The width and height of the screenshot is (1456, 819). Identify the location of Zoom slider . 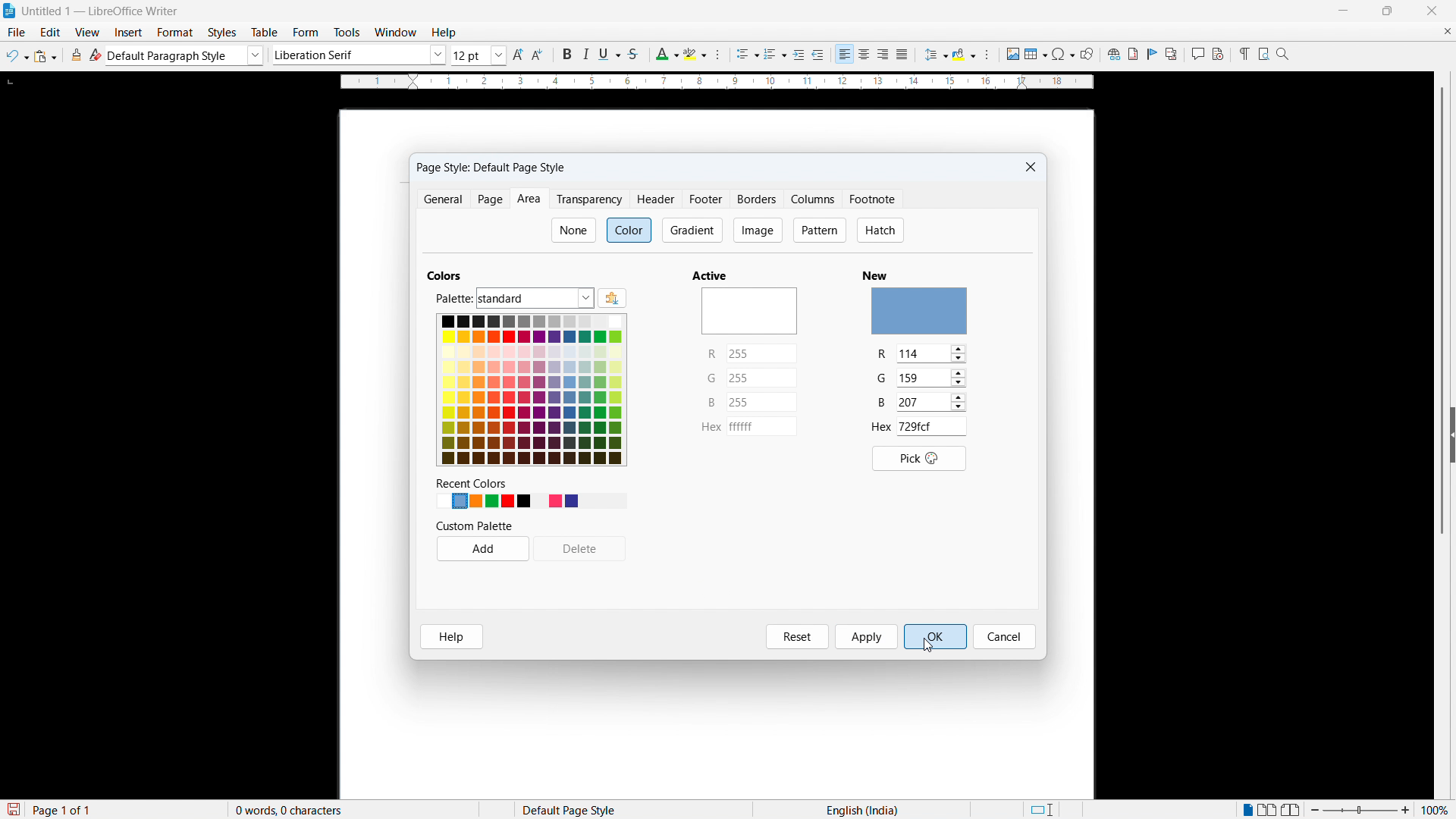
(1360, 809).